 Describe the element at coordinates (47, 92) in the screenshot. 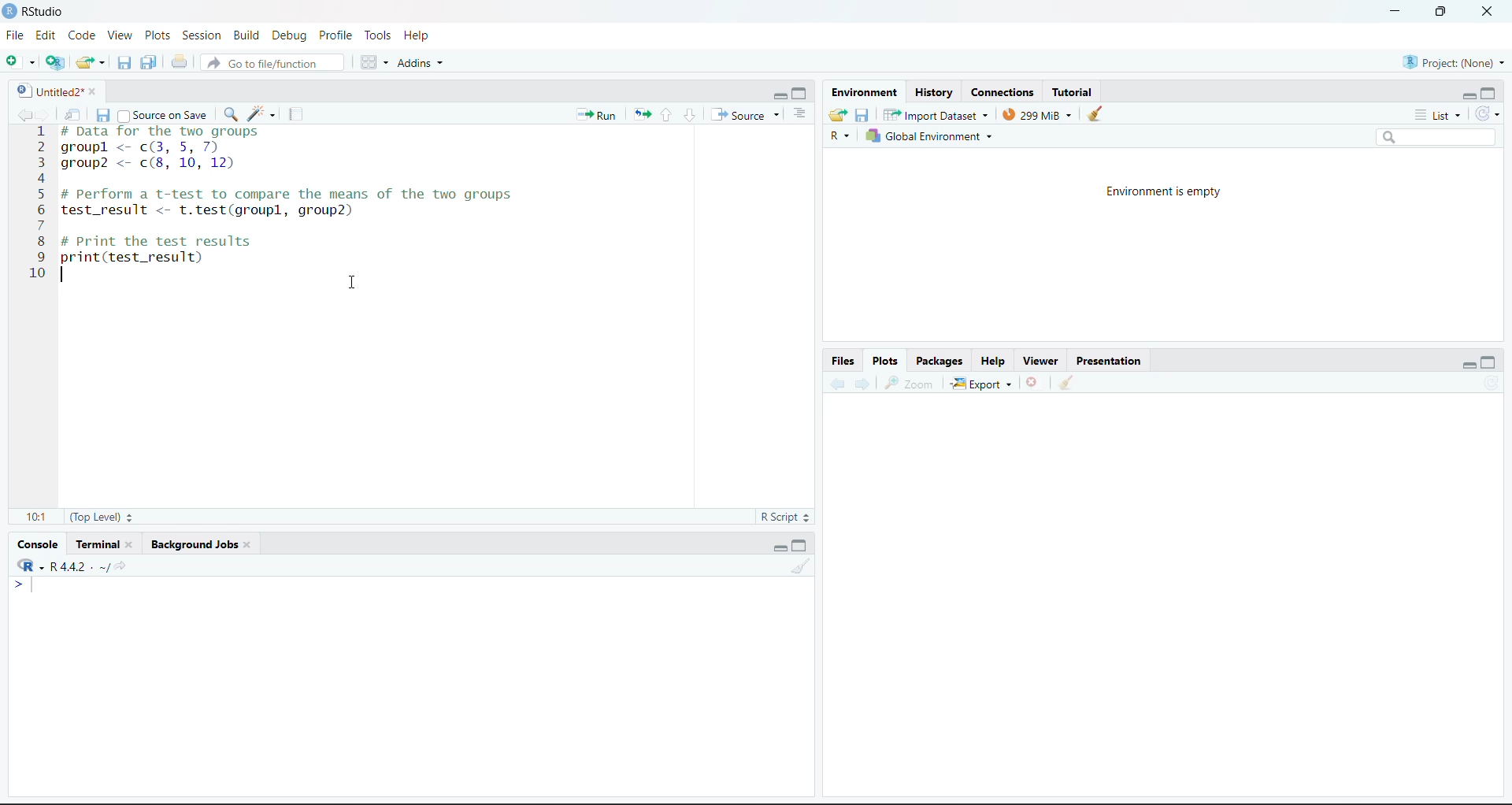

I see `Untitled2*` at that location.